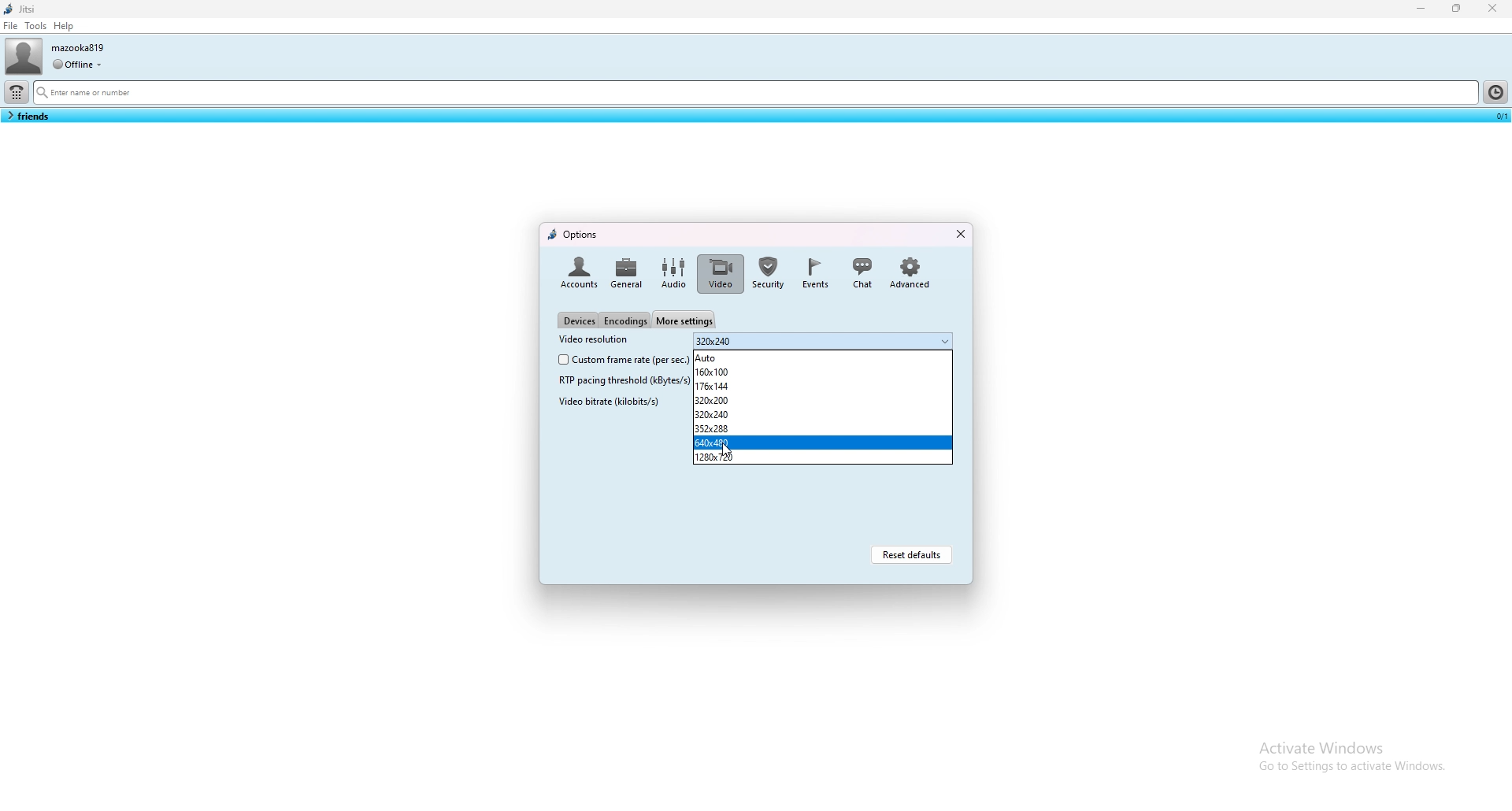 The image size is (1512, 811). I want to click on cursor, so click(722, 446).